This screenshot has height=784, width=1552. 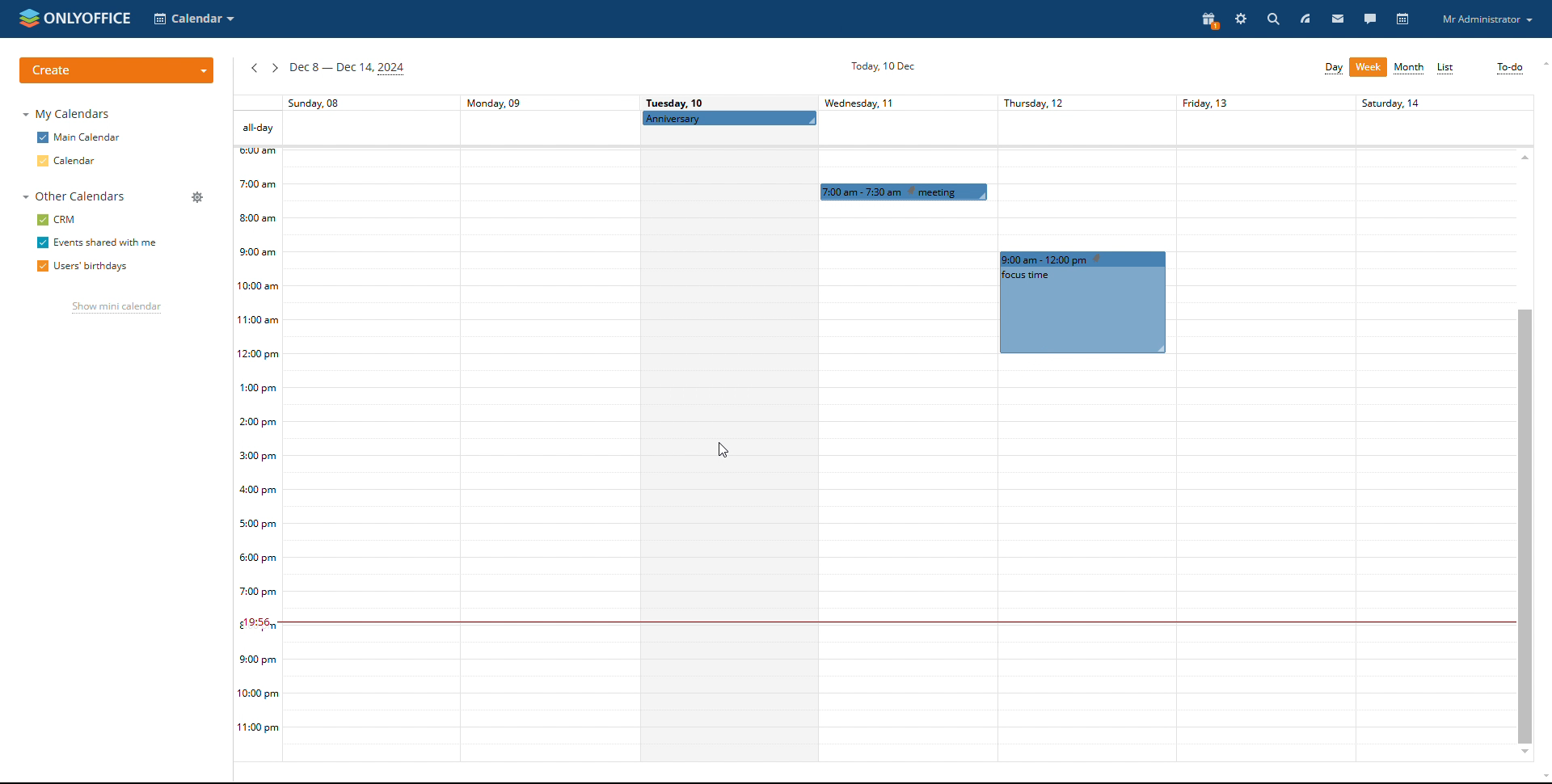 I want to click on to-do, so click(x=1509, y=68).